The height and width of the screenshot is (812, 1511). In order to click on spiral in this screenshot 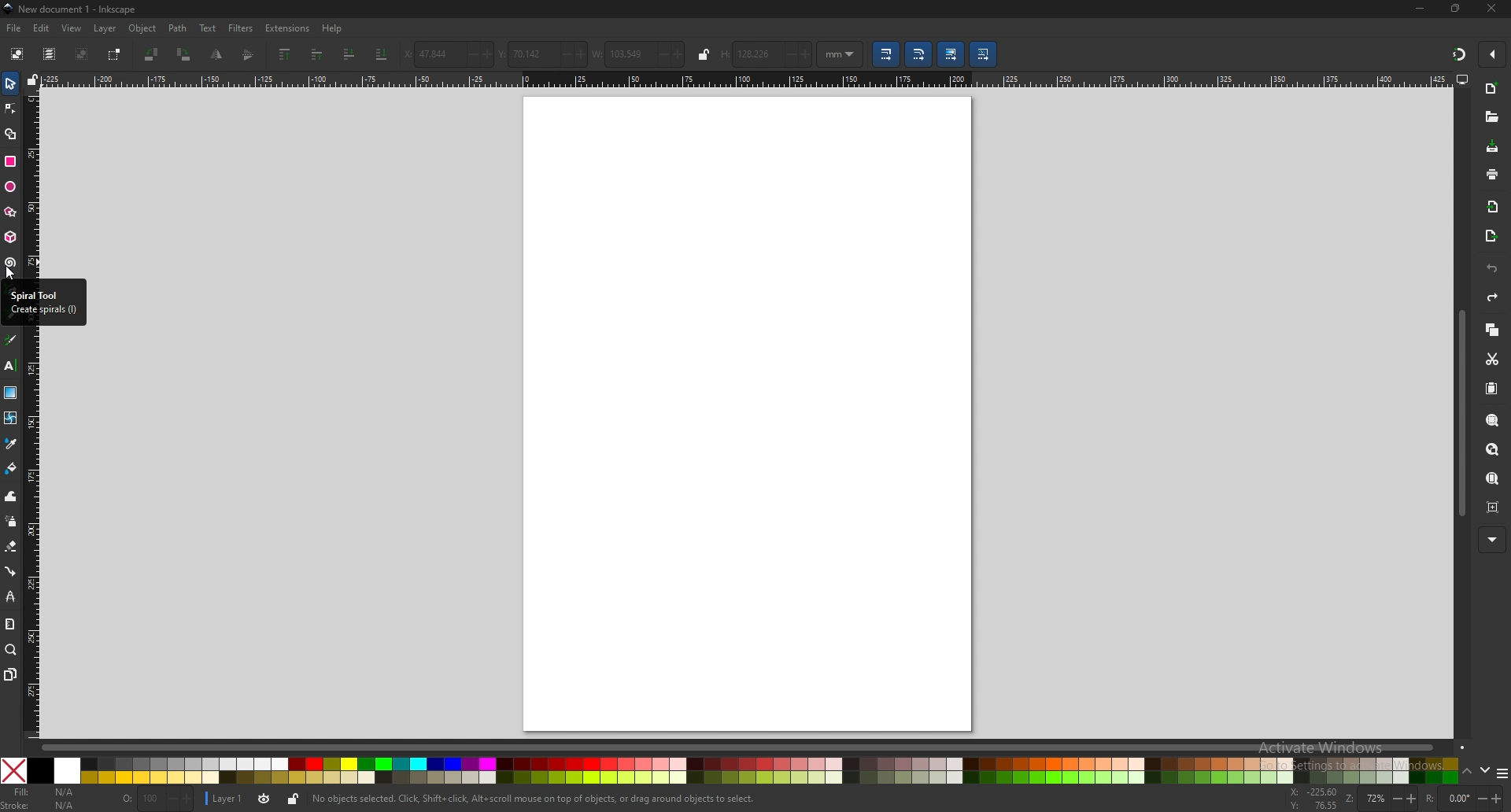, I will do `click(11, 263)`.